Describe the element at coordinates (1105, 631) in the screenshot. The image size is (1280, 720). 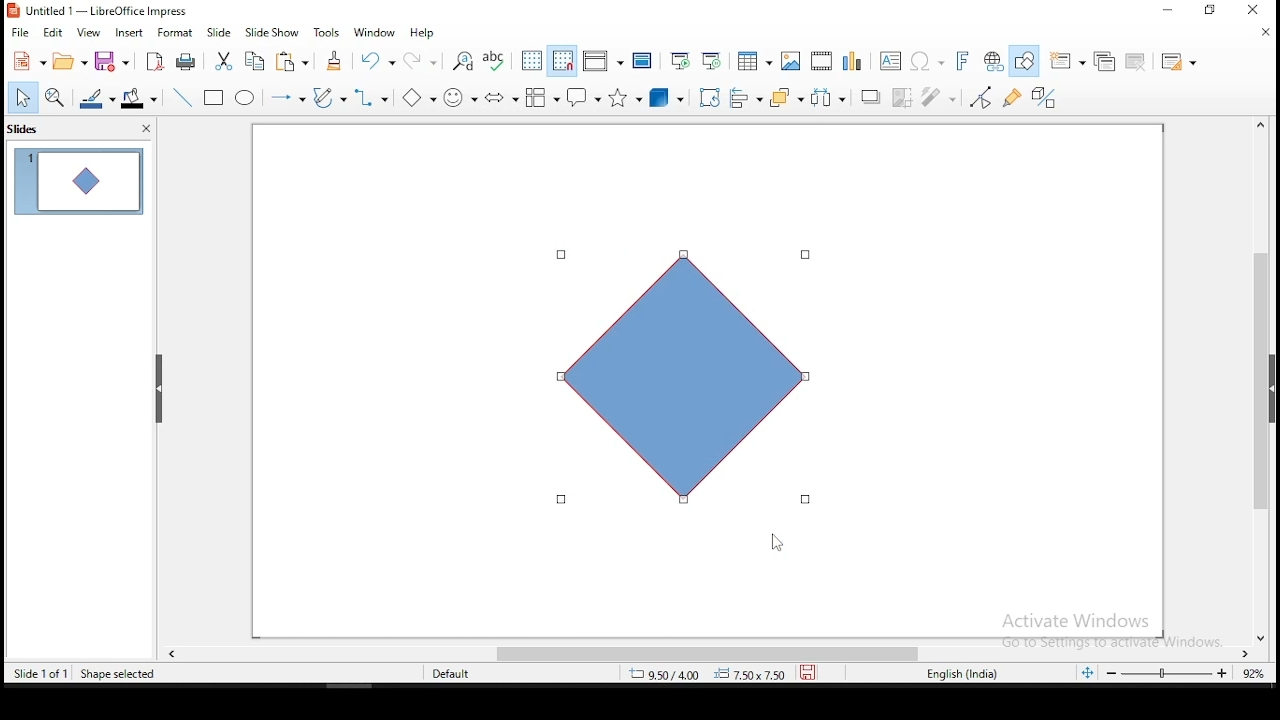
I see `activate windows` at that location.